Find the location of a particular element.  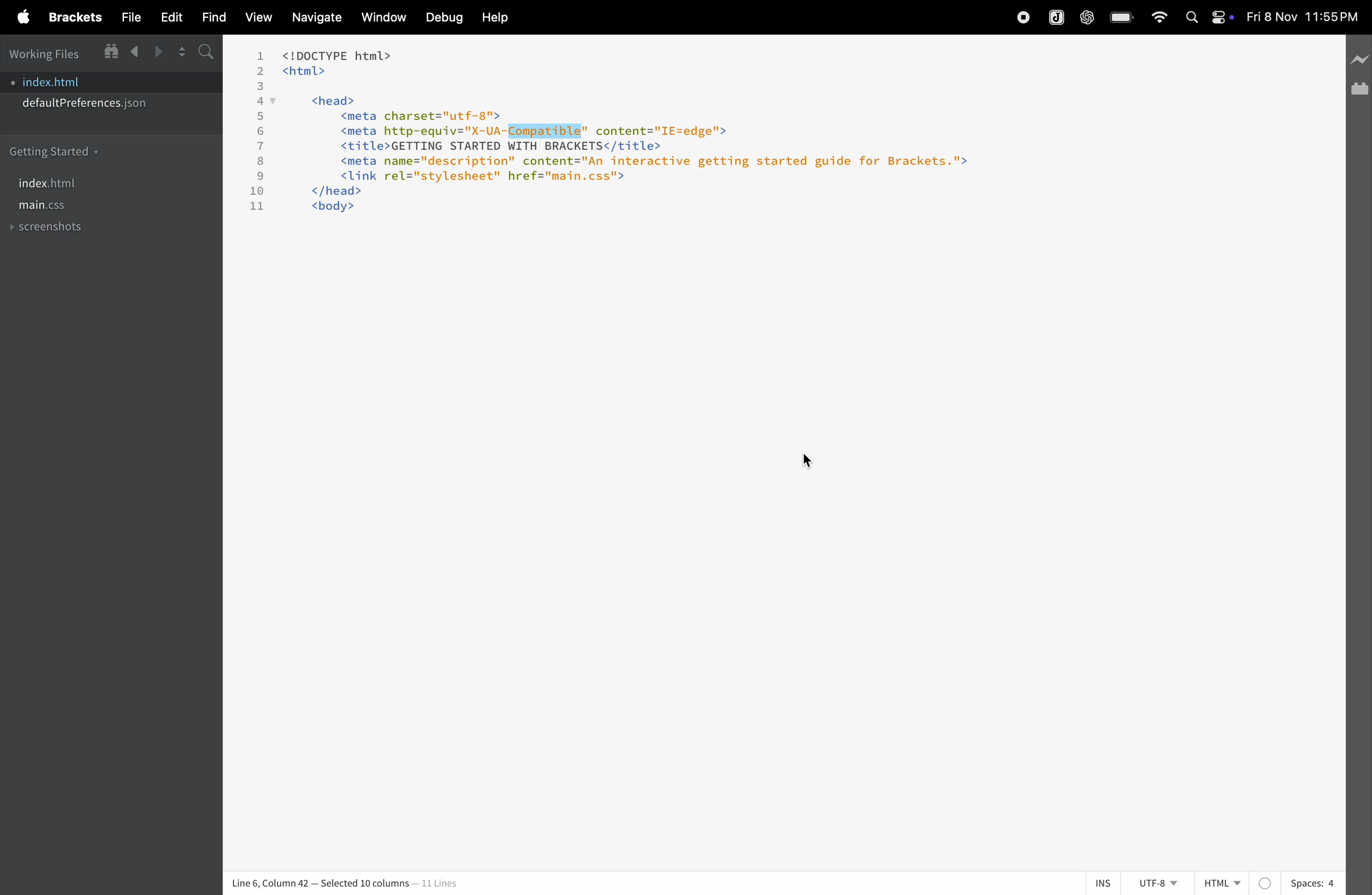

Control center is located at coordinates (1223, 18).